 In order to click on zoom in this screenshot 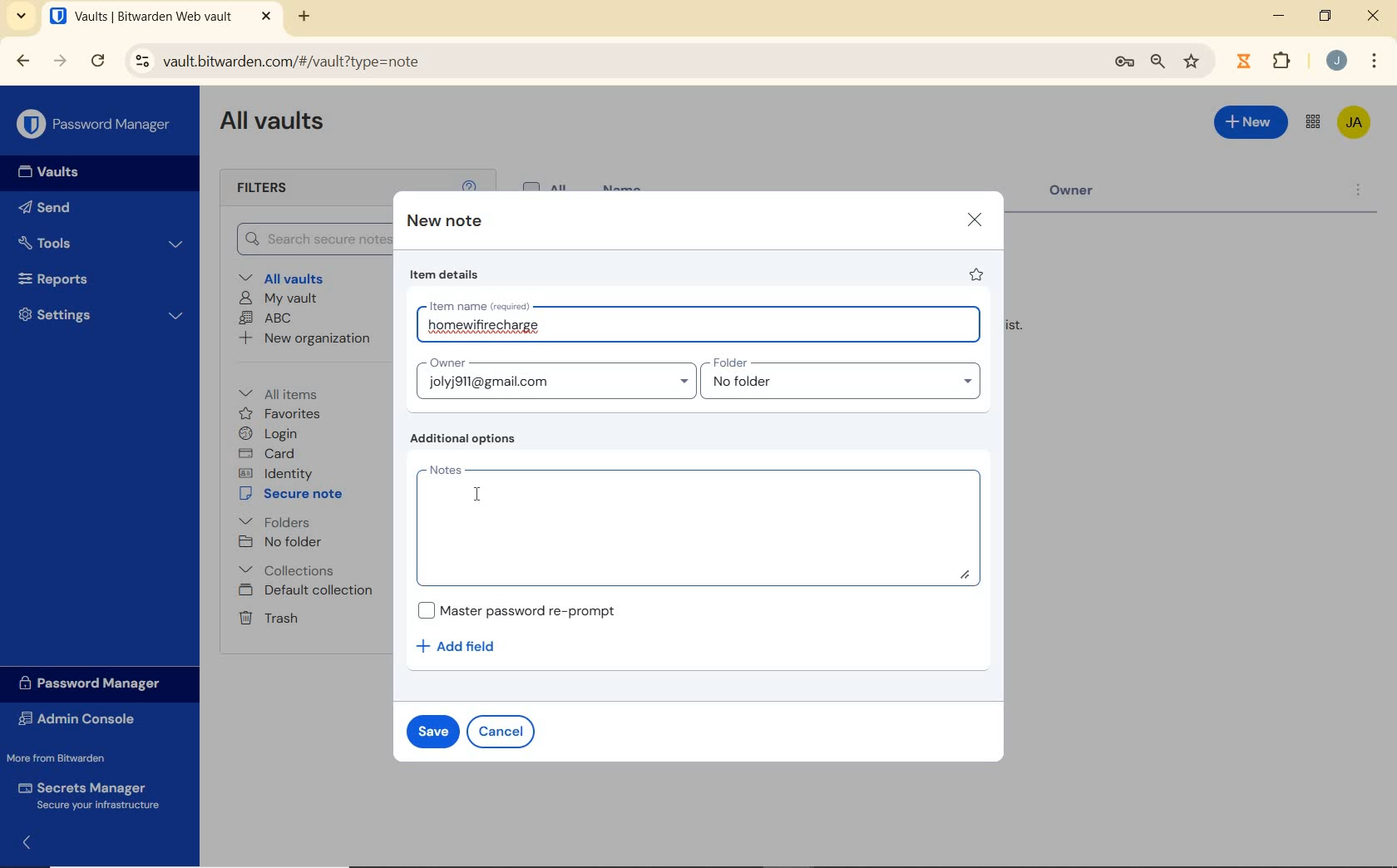, I will do `click(1158, 63)`.